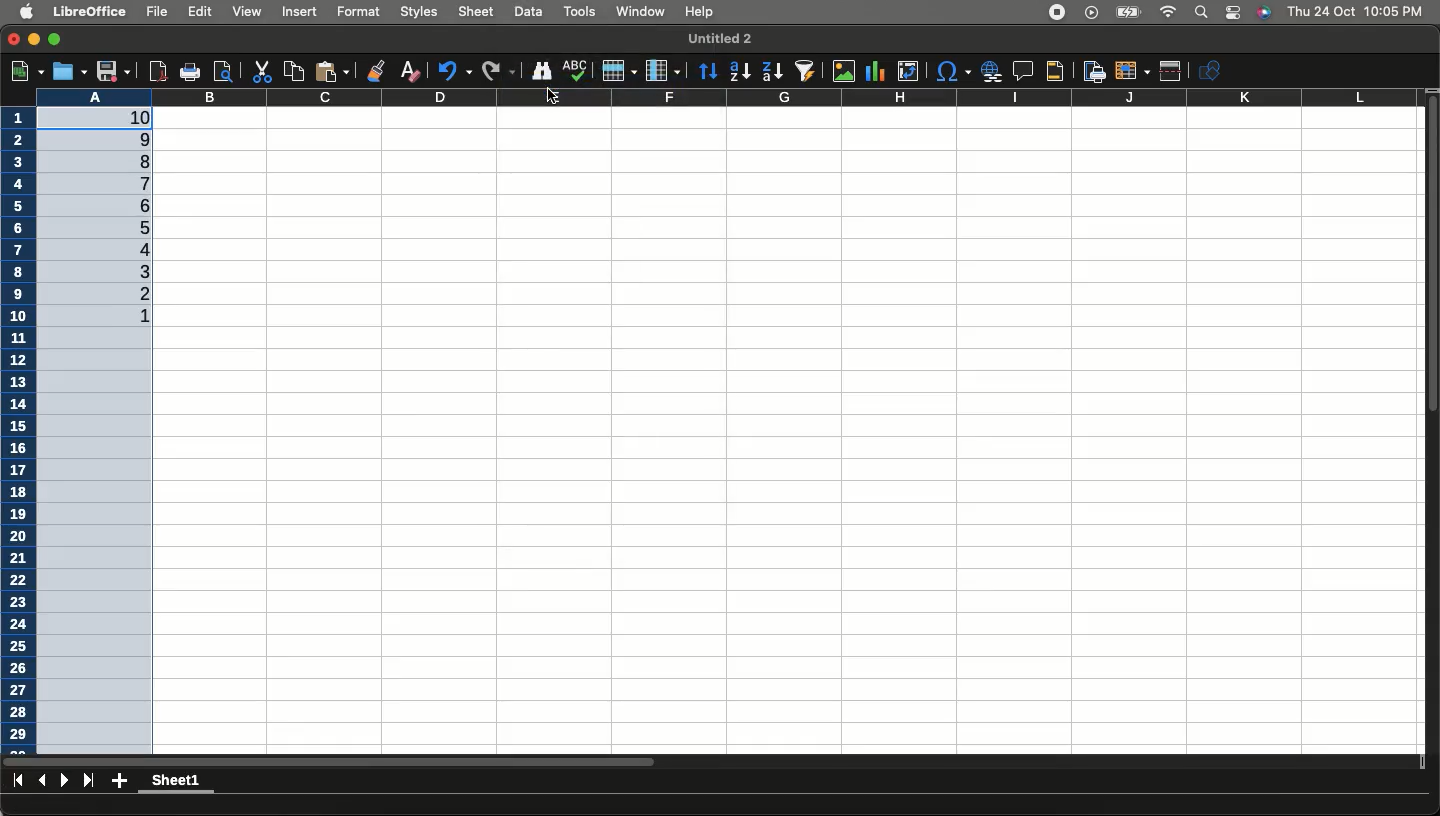  I want to click on Open, so click(68, 72).